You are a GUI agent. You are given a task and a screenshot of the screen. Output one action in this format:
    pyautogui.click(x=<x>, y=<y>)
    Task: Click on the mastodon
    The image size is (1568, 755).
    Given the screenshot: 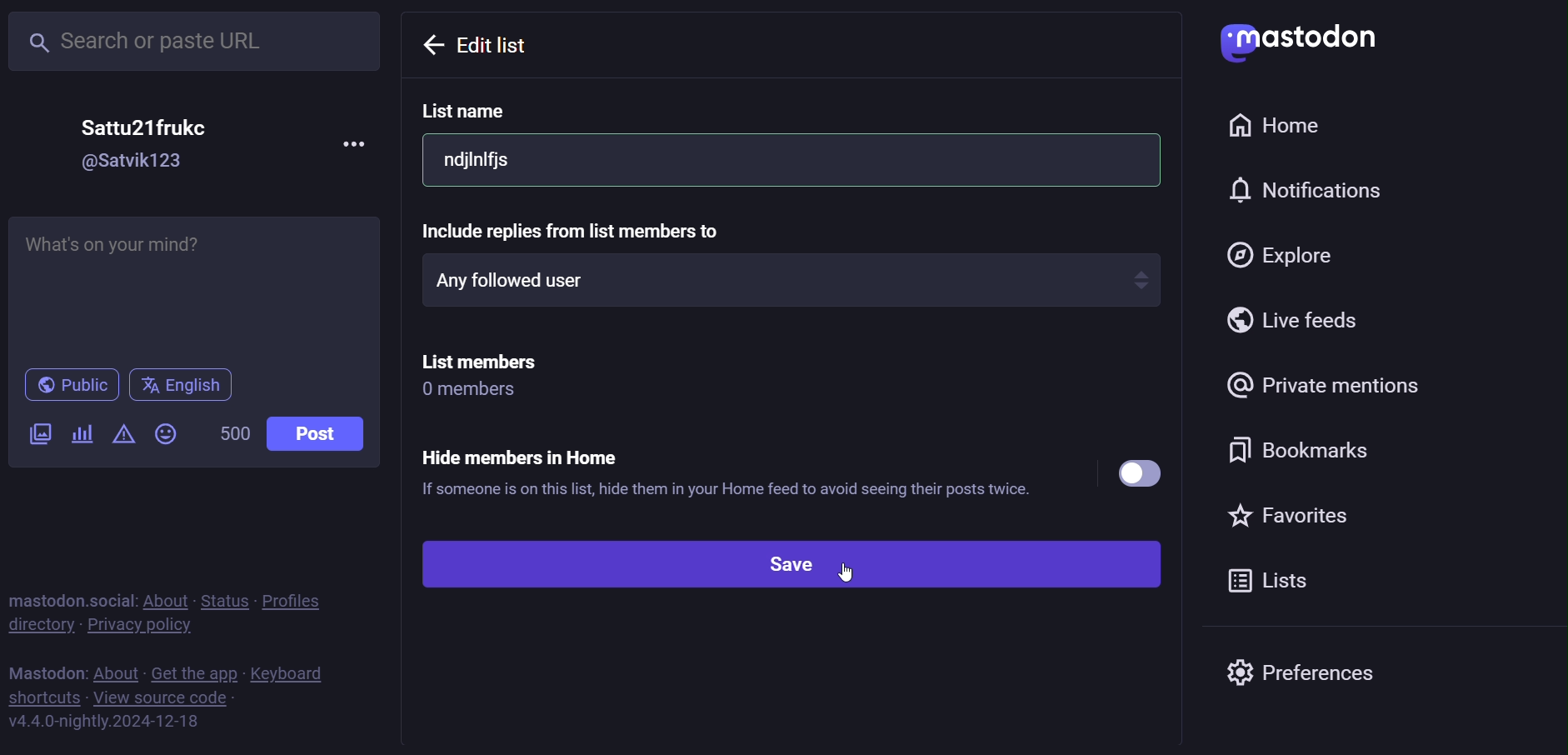 What is the action you would take?
    pyautogui.click(x=1305, y=39)
    